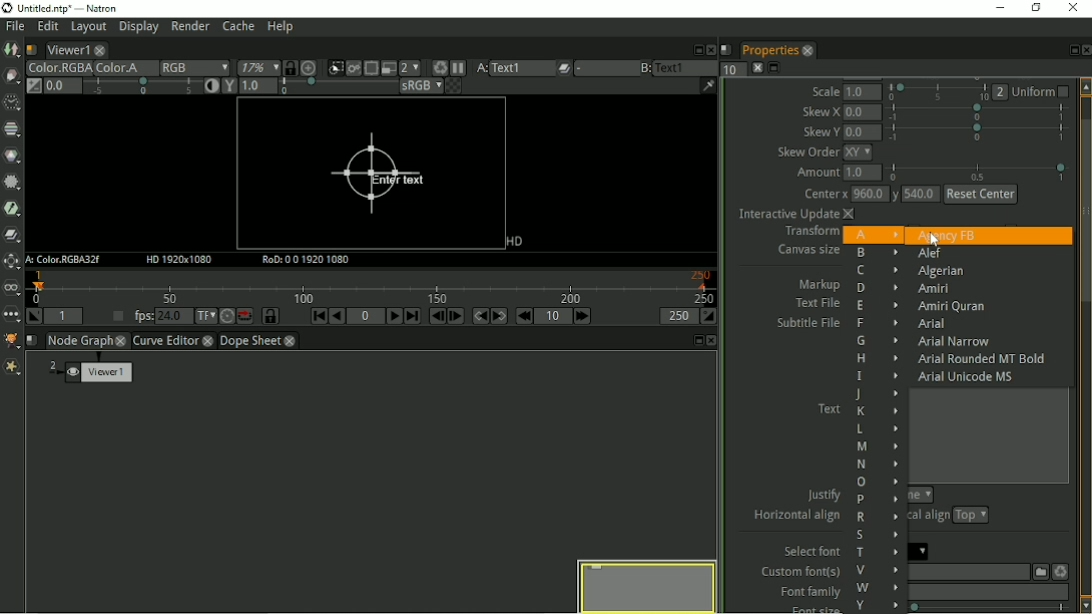  I want to click on Script name, so click(31, 50).